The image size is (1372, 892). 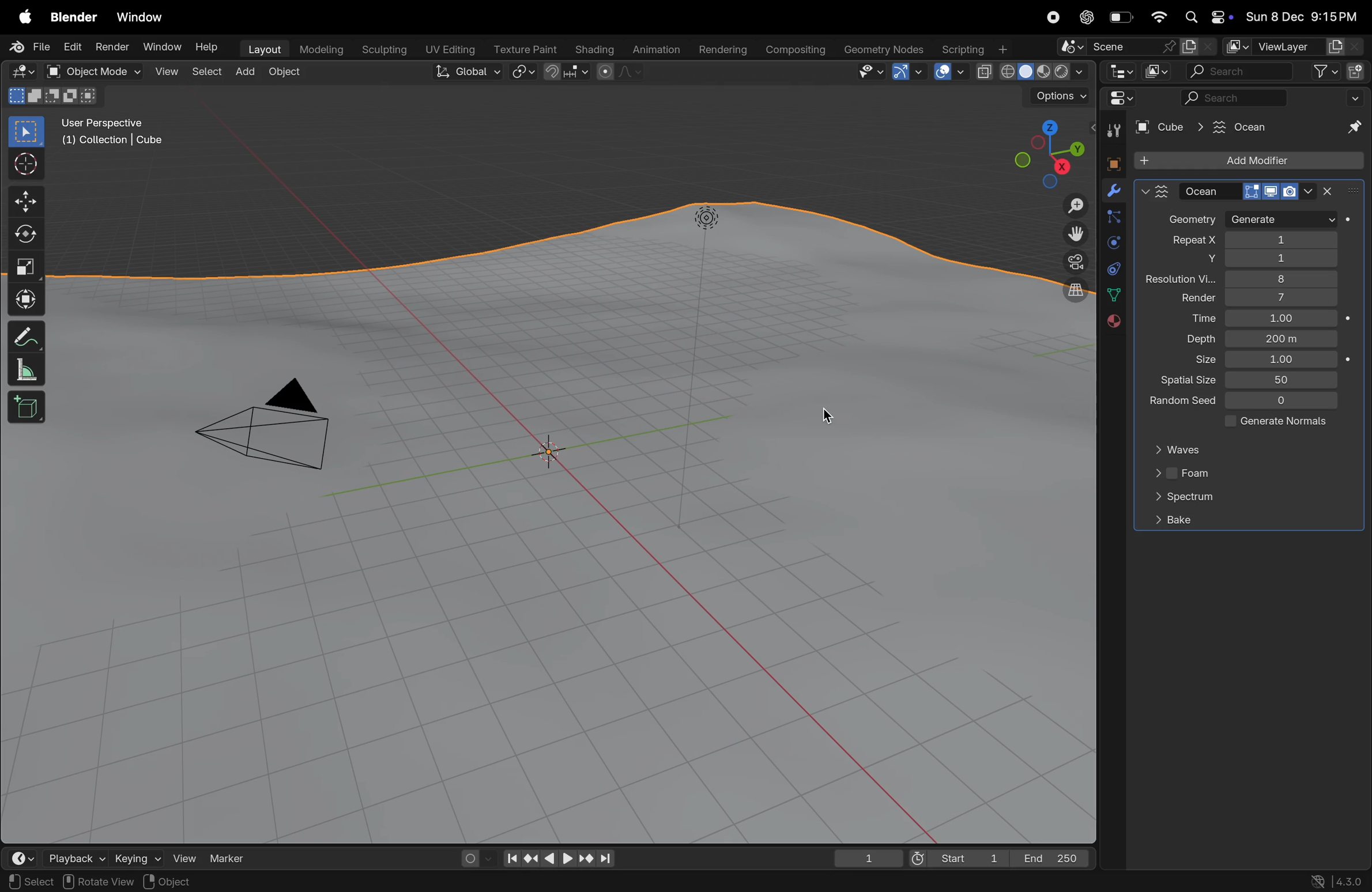 What do you see at coordinates (1053, 856) in the screenshot?
I see `end 250` at bounding box center [1053, 856].